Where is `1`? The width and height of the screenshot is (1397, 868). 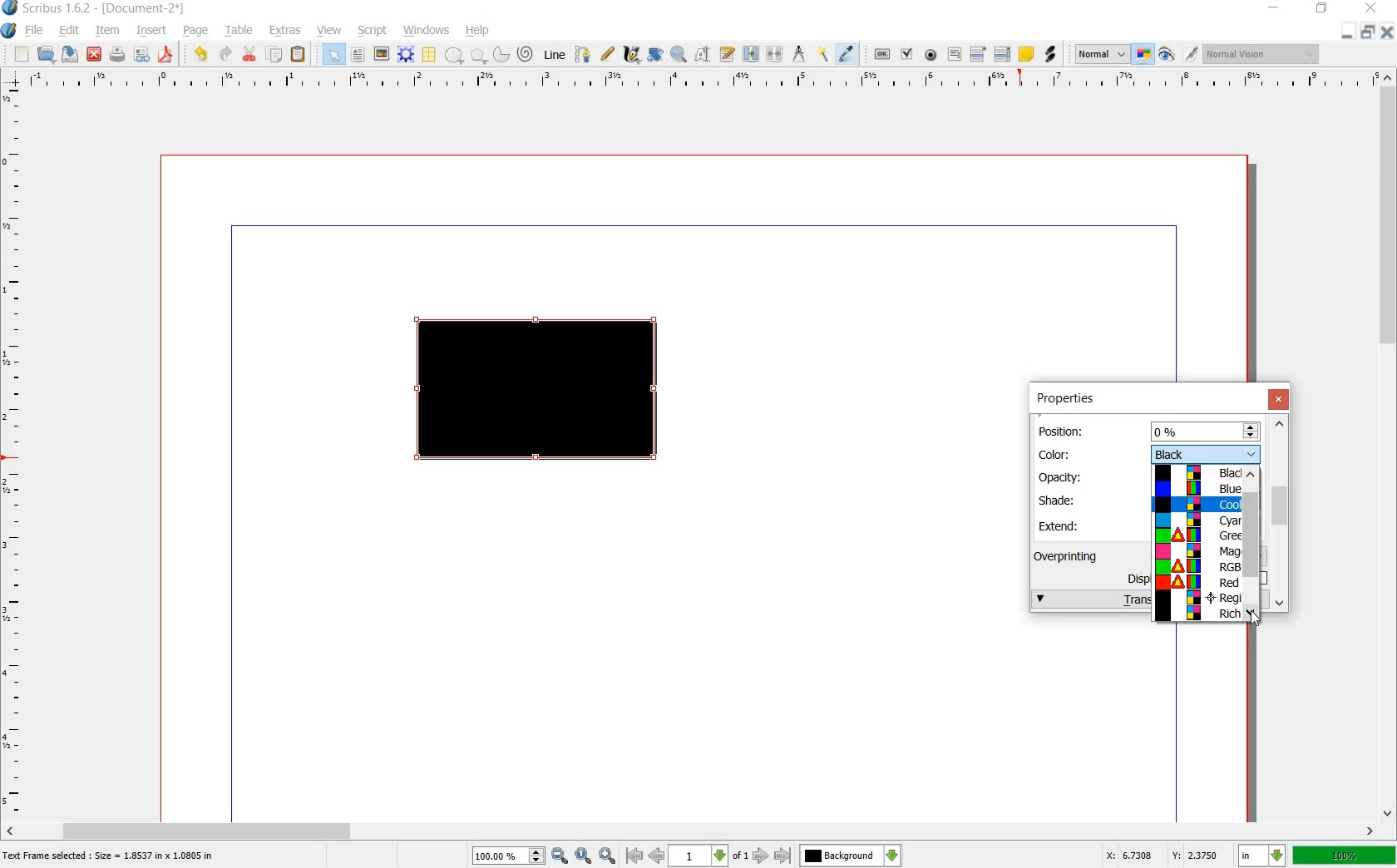 1 is located at coordinates (697, 856).